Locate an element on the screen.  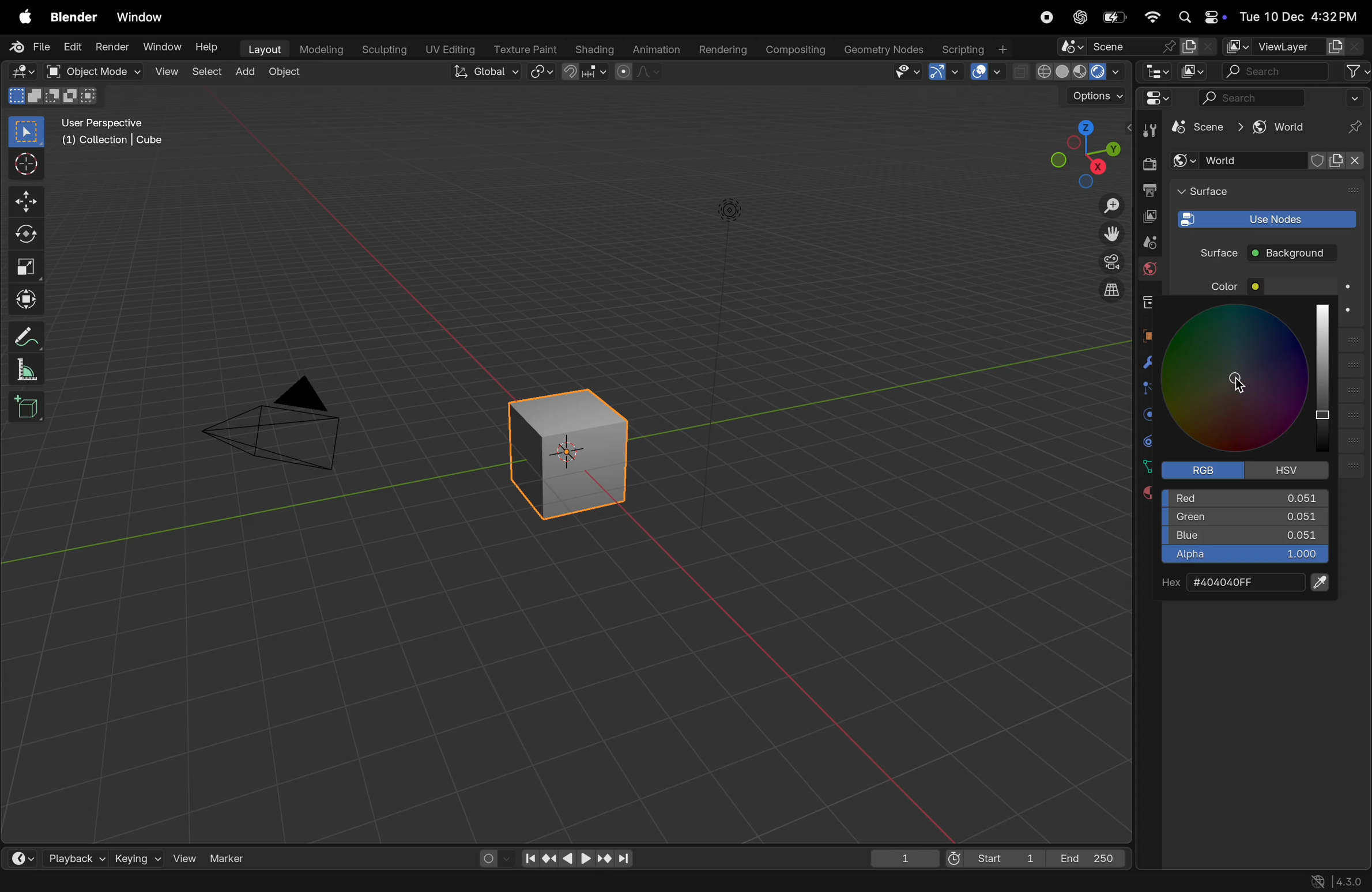
tools is located at coordinates (1146, 130).